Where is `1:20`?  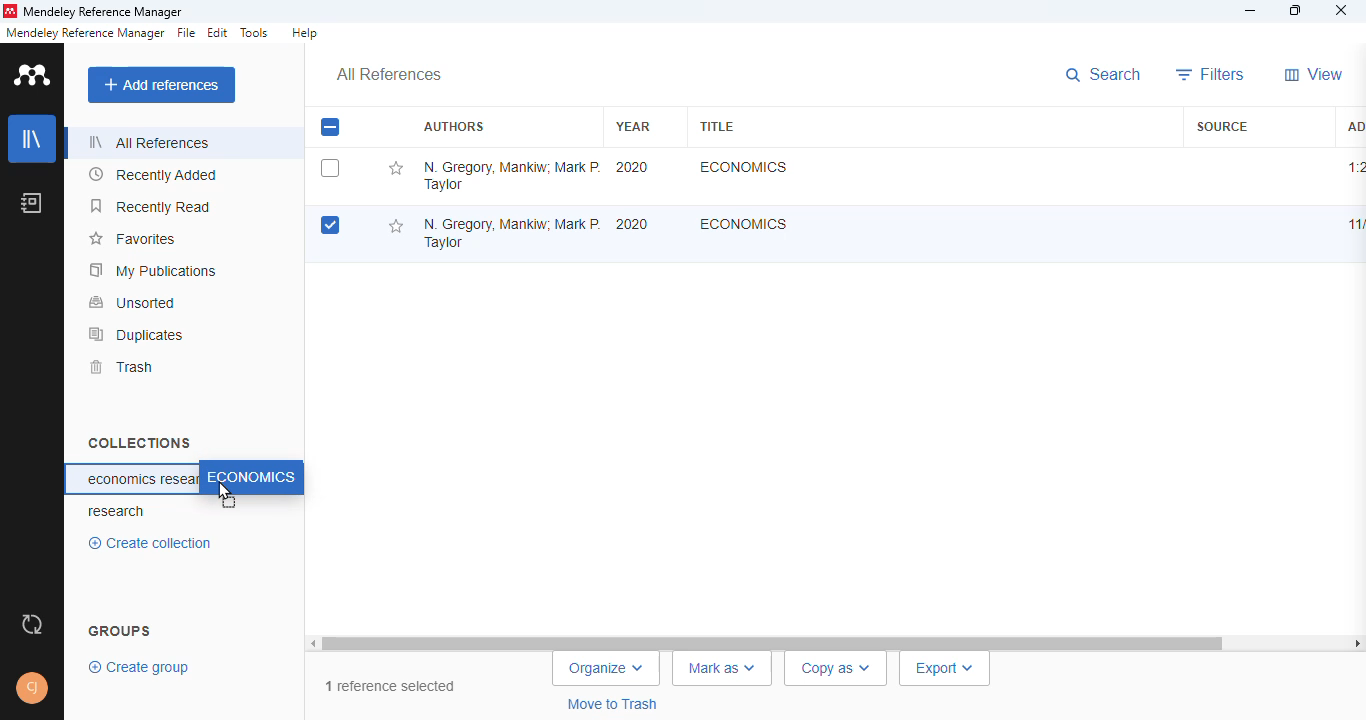
1:20 is located at coordinates (1355, 167).